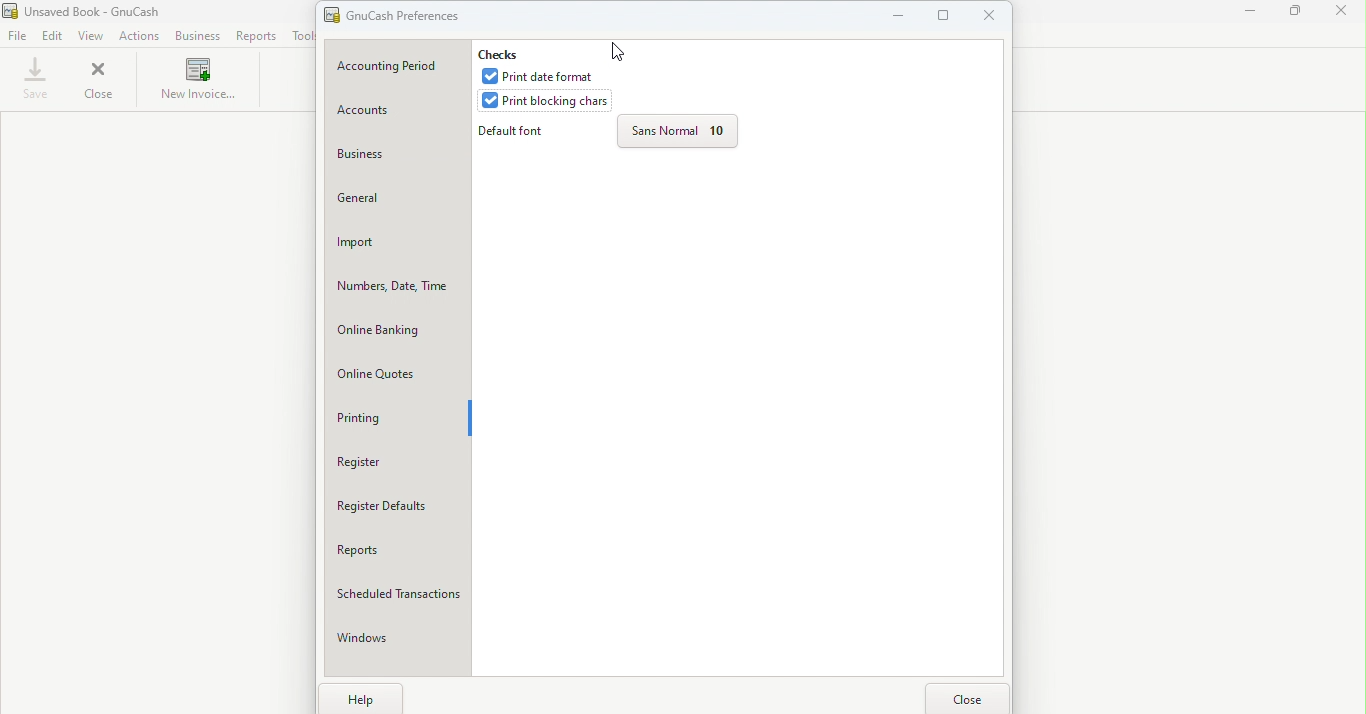 The height and width of the screenshot is (714, 1366). Describe the element at coordinates (993, 18) in the screenshot. I see `Close` at that location.